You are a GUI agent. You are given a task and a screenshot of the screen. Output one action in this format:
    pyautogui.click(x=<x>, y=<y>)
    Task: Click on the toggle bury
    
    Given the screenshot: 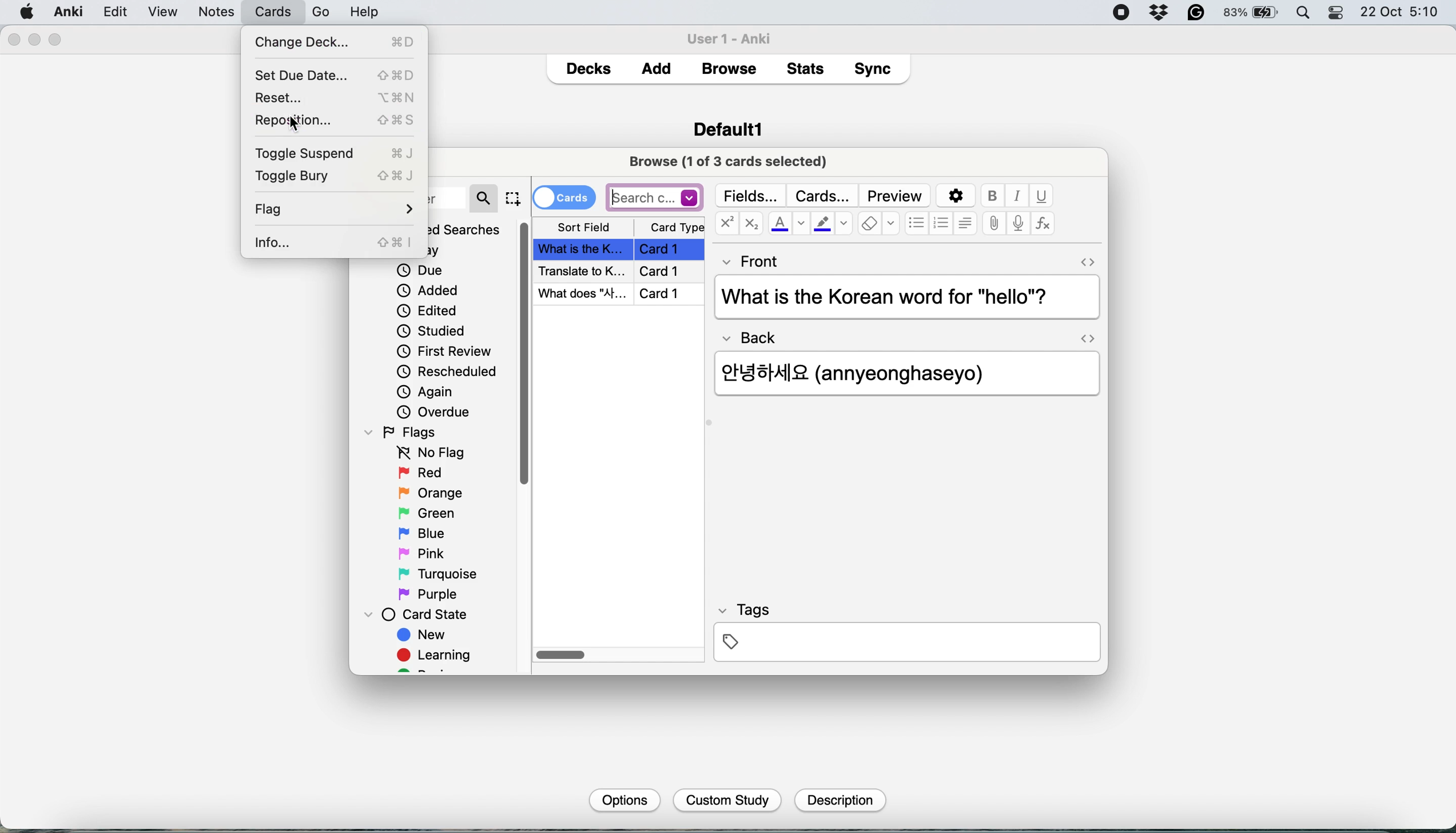 What is the action you would take?
    pyautogui.click(x=335, y=175)
    